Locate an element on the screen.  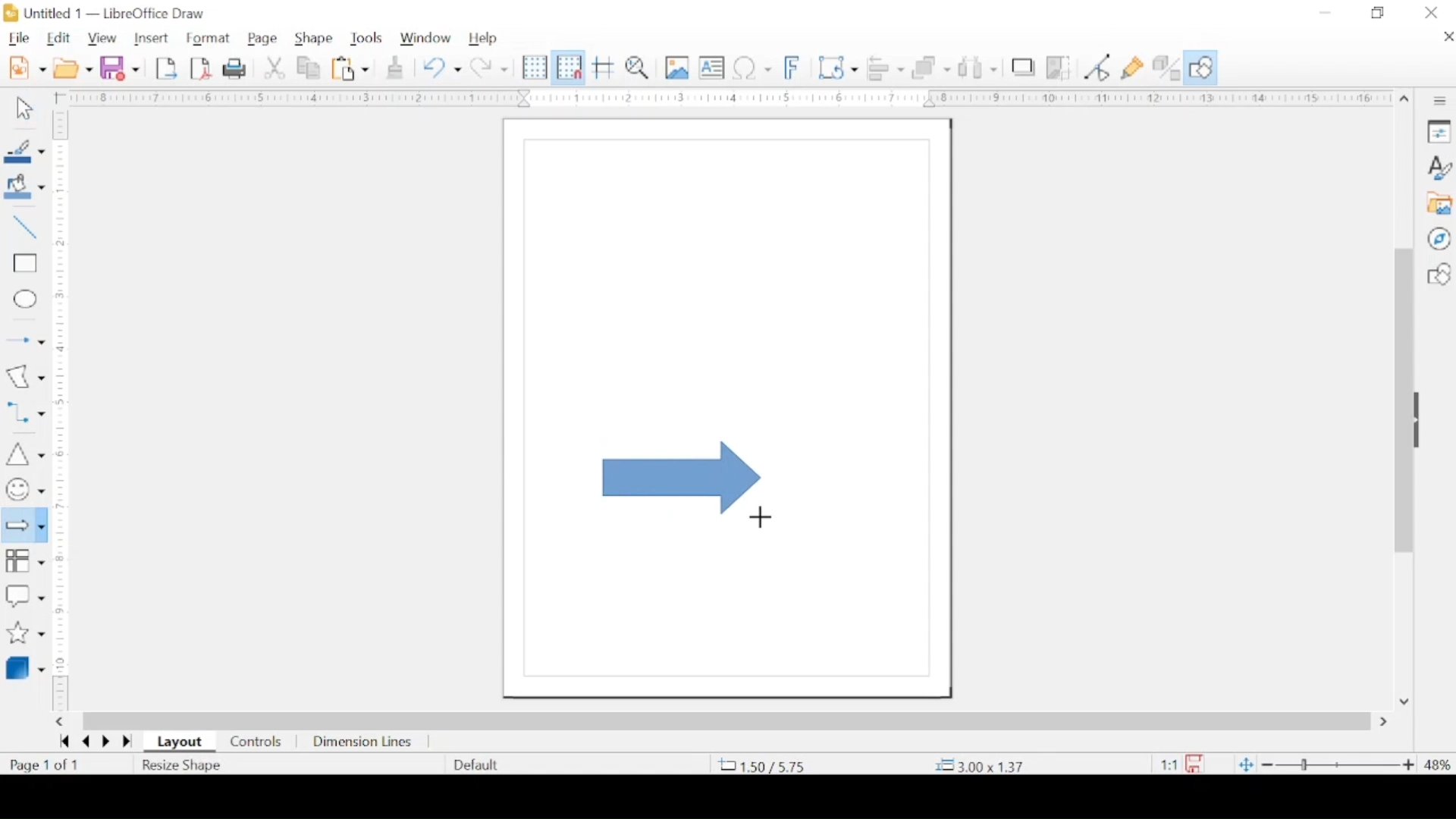
previous is located at coordinates (83, 742).